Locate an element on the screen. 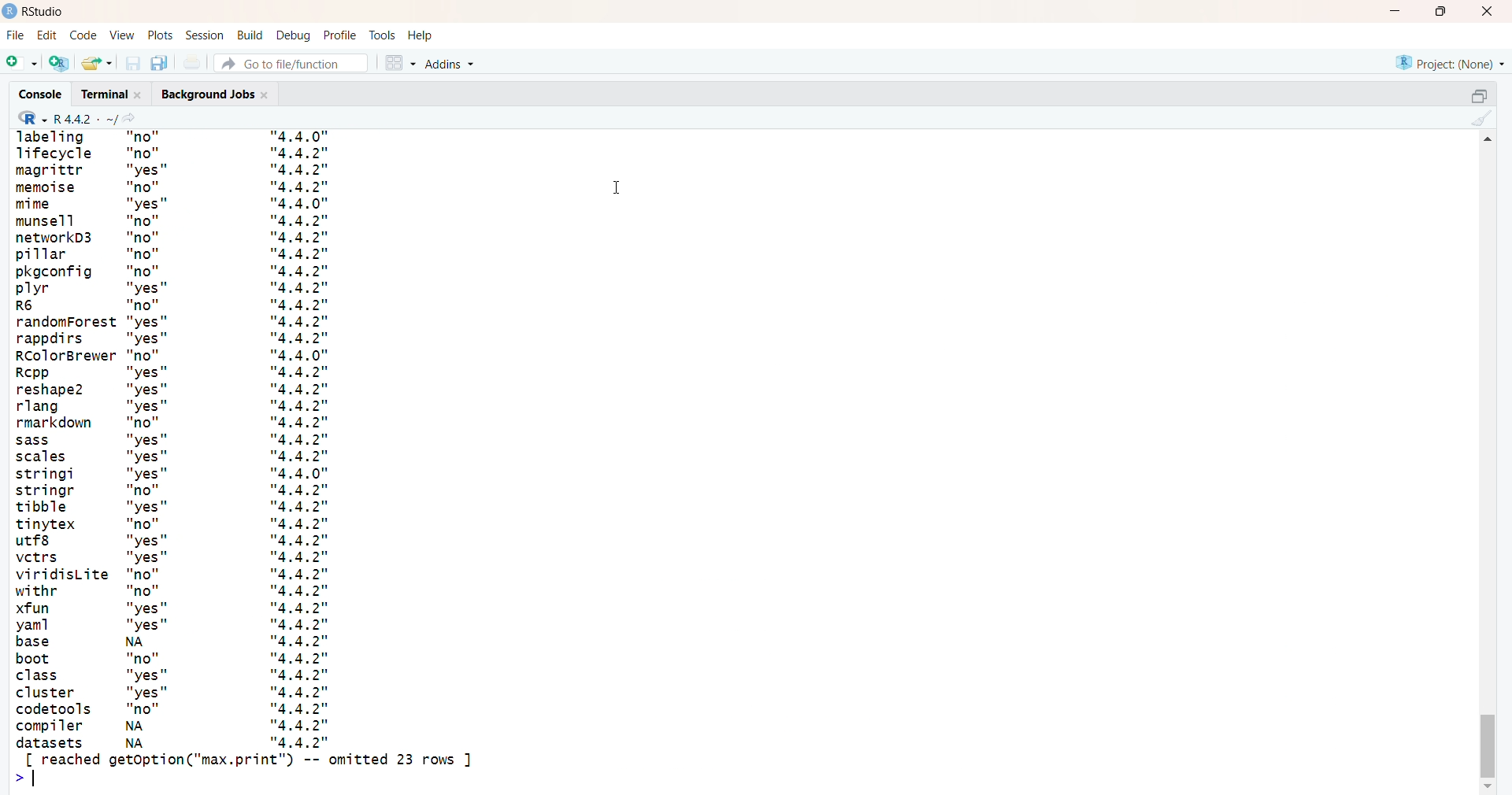  tools is located at coordinates (382, 35).